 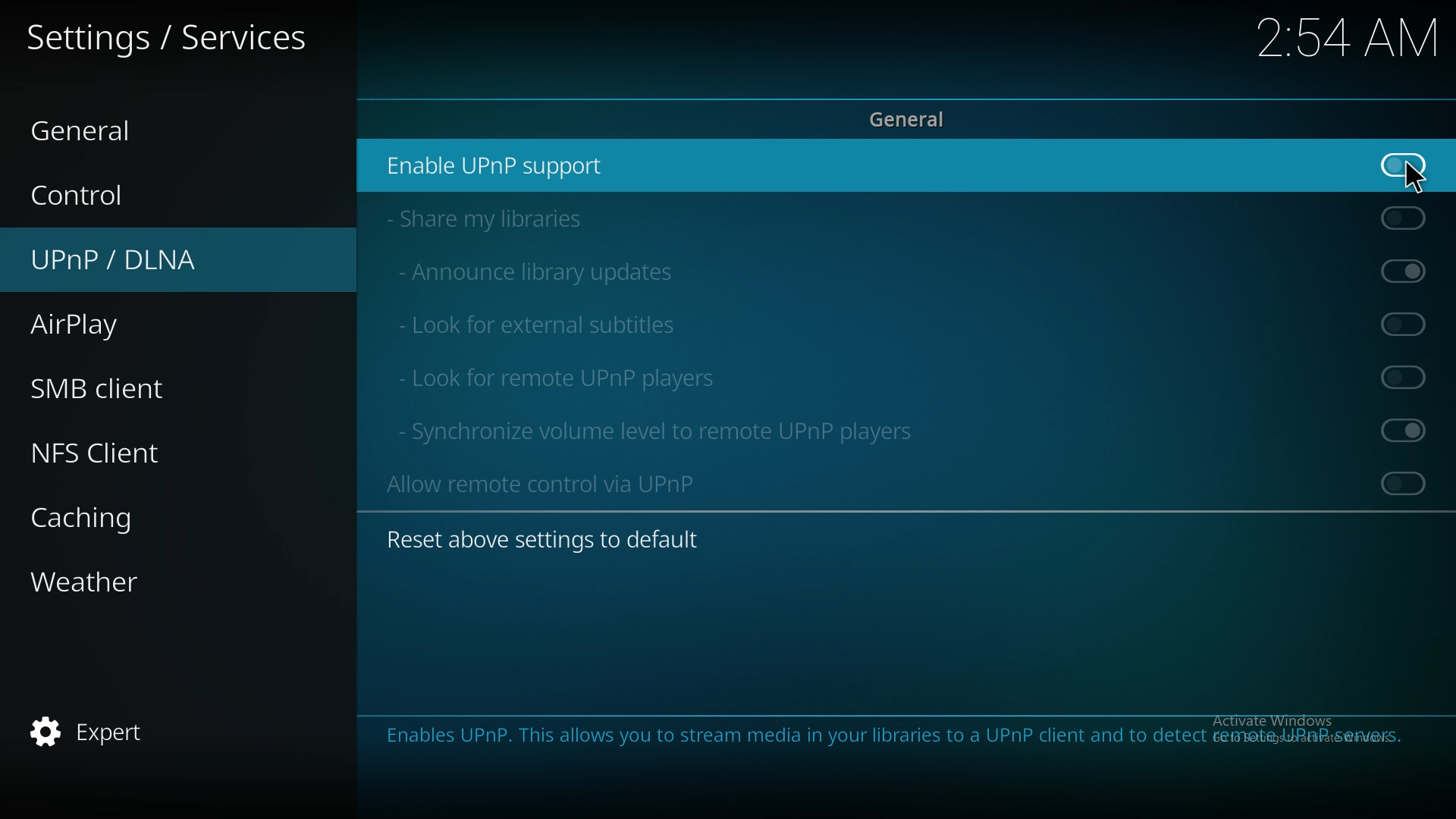 What do you see at coordinates (557, 322) in the screenshot?
I see `look for external subtitles` at bounding box center [557, 322].